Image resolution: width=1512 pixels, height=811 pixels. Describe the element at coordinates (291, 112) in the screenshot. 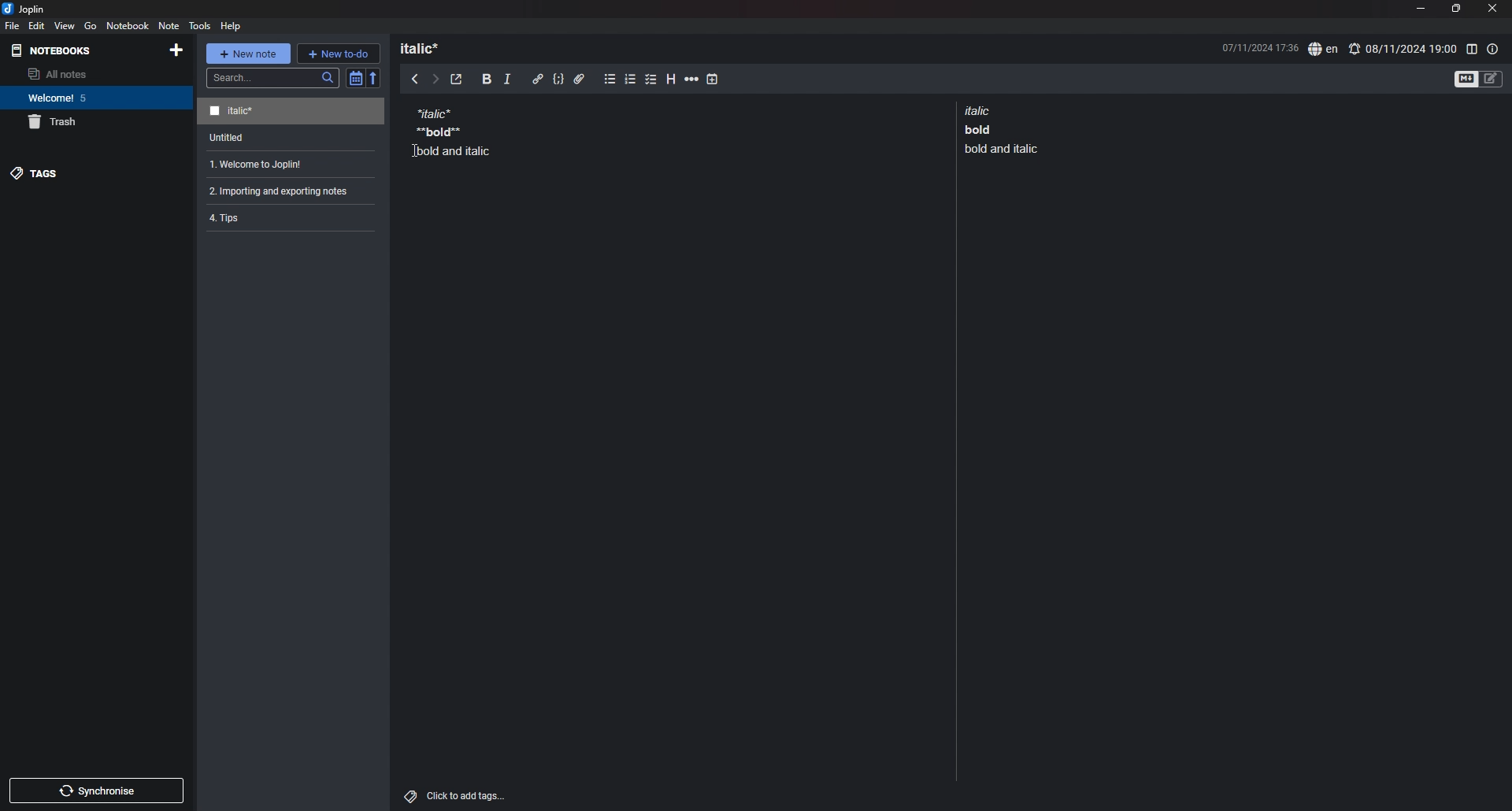

I see `note` at that location.